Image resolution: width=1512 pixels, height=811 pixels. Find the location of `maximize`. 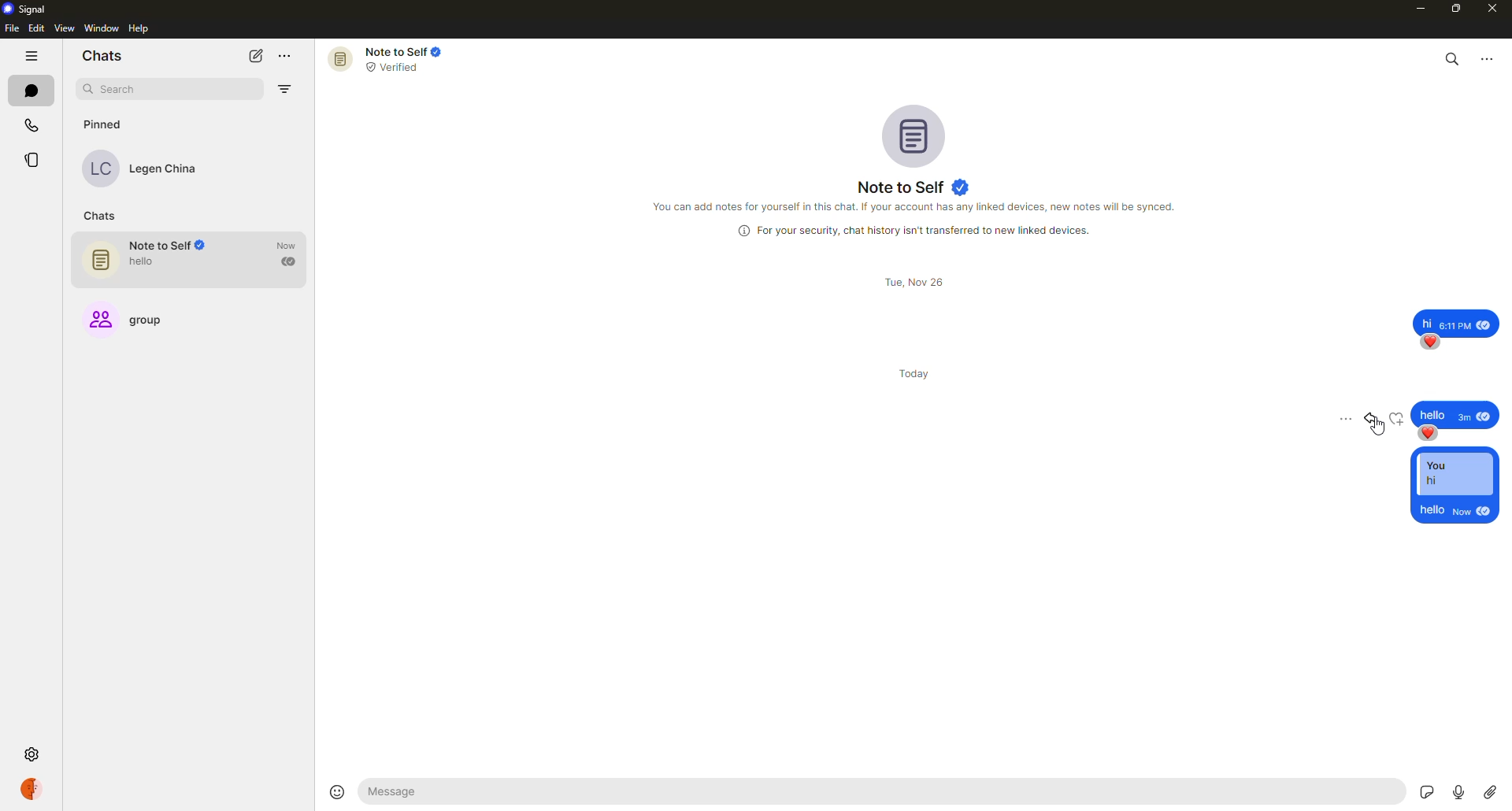

maximize is located at coordinates (1452, 10).